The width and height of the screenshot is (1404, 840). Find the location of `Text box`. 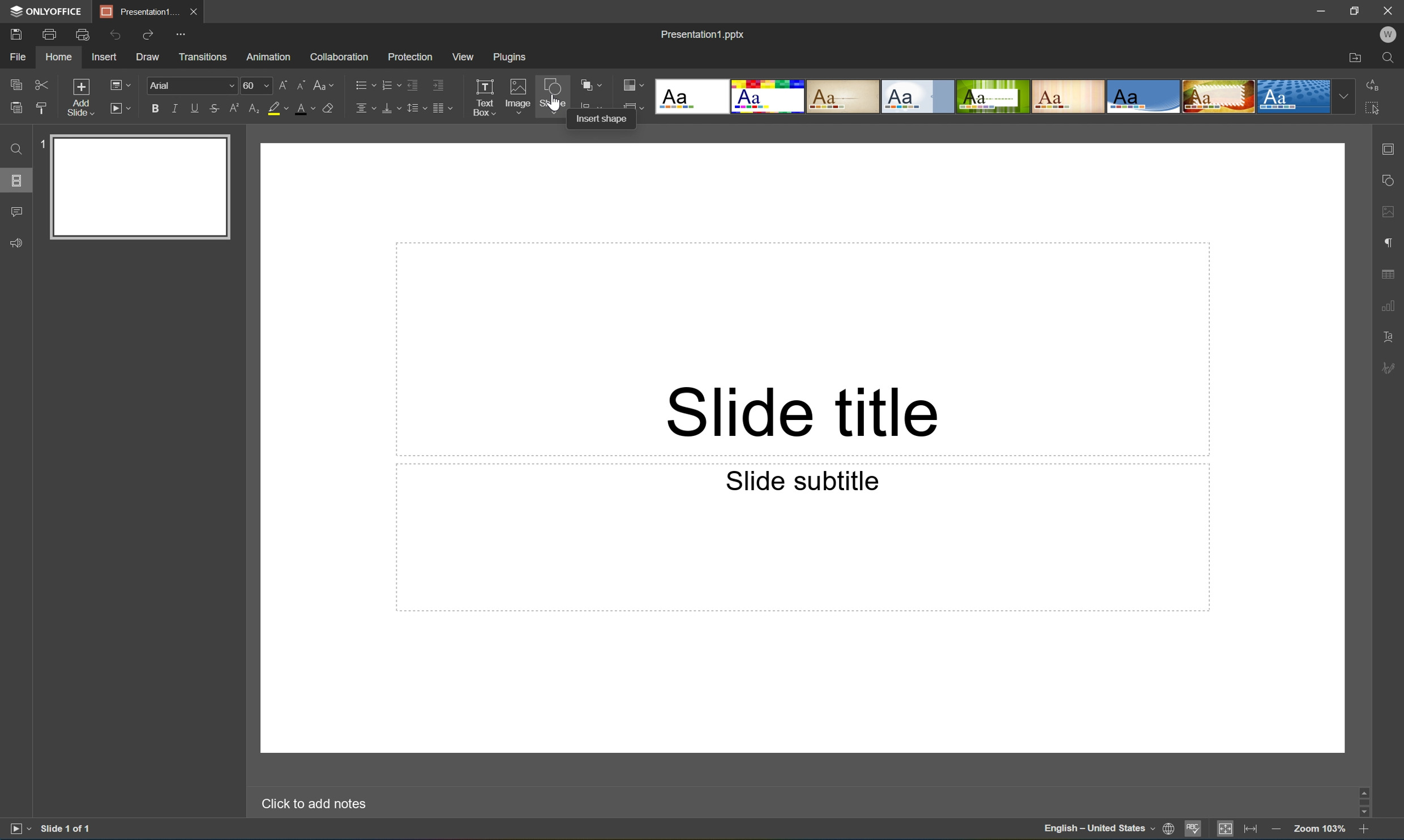

Text box is located at coordinates (485, 97).